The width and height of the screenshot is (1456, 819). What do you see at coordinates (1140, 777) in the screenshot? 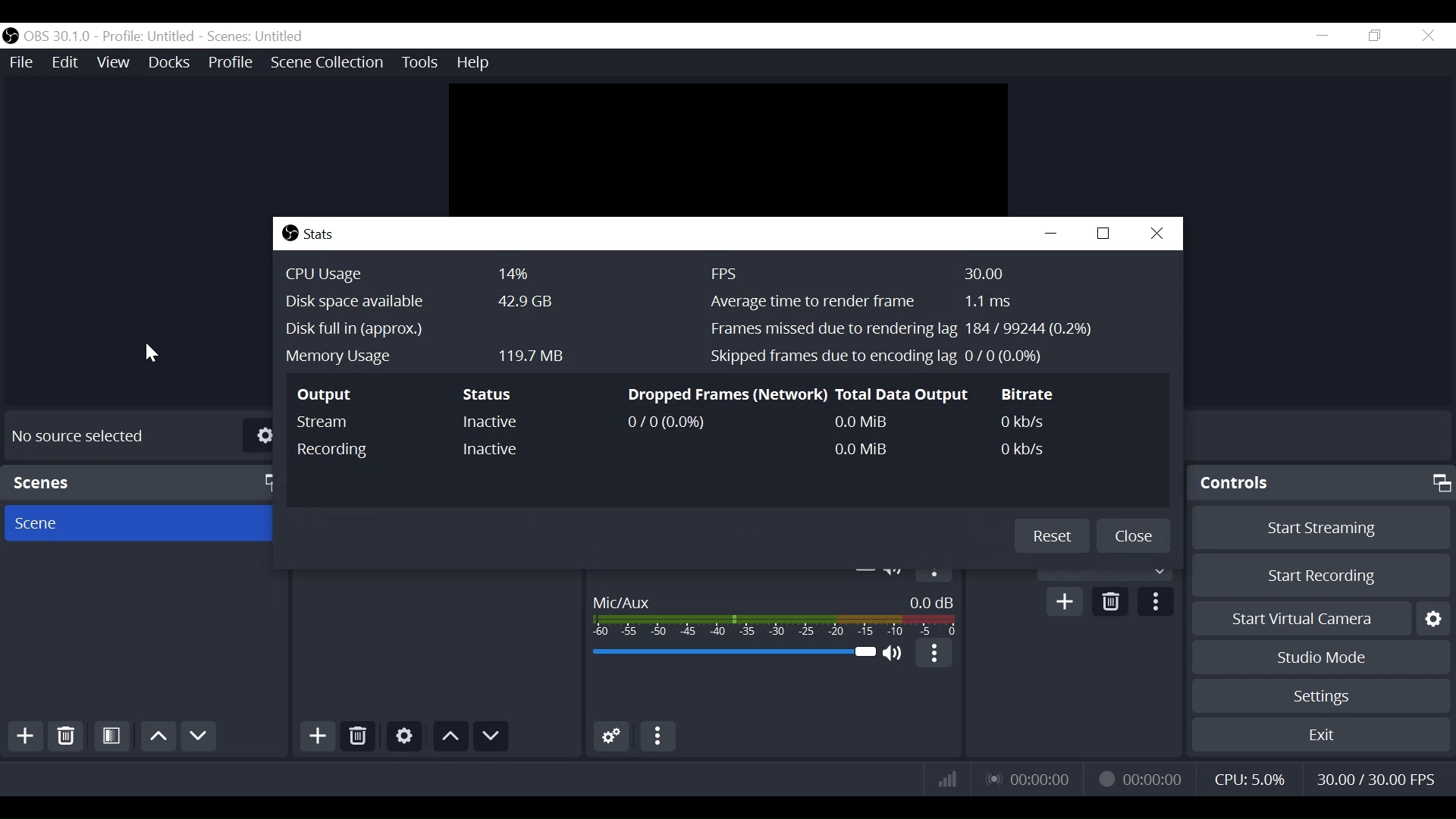
I see `Recording Status` at bounding box center [1140, 777].